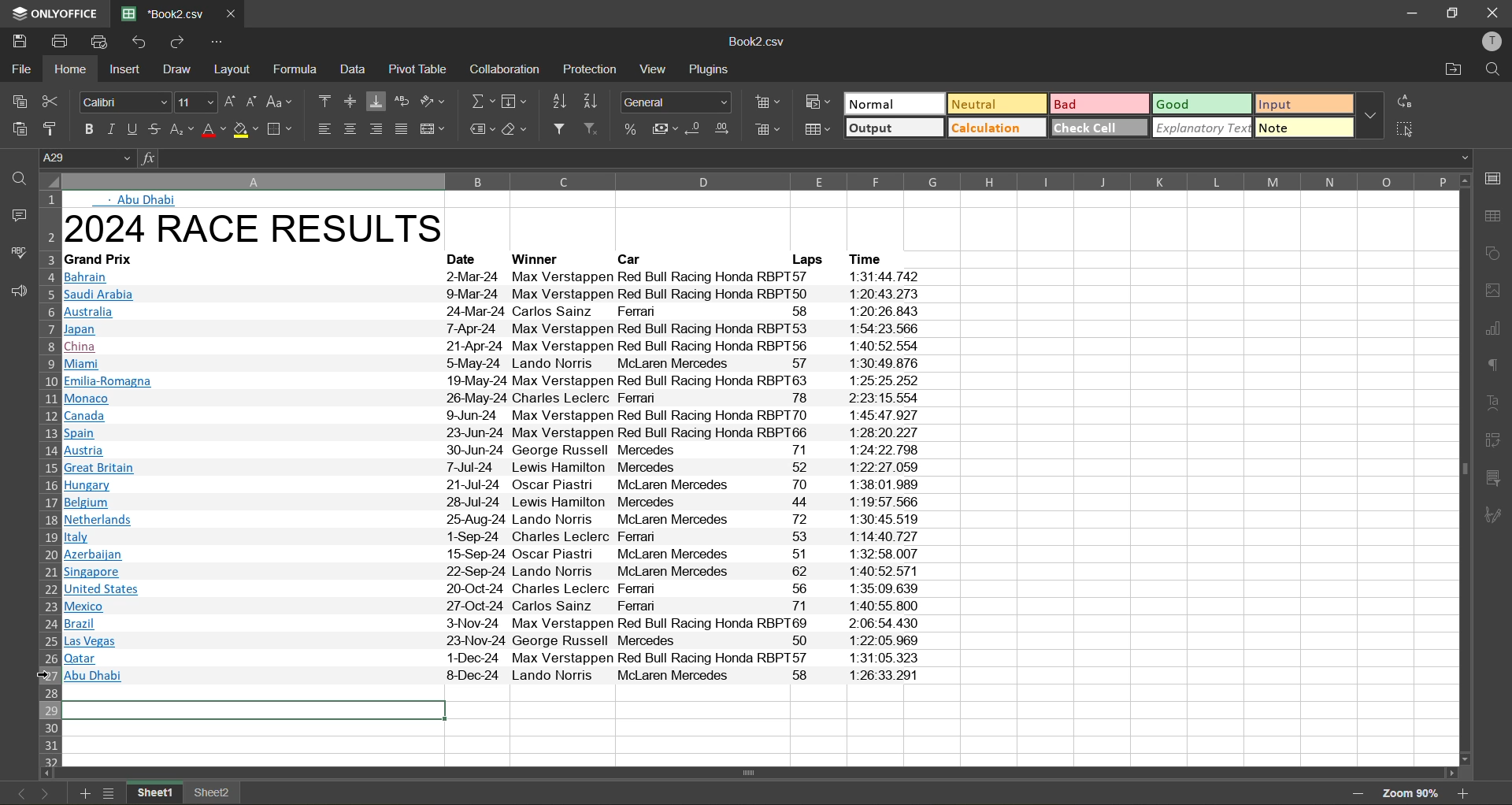 Image resolution: width=1512 pixels, height=805 pixels. Describe the element at coordinates (133, 131) in the screenshot. I see `underline` at that location.